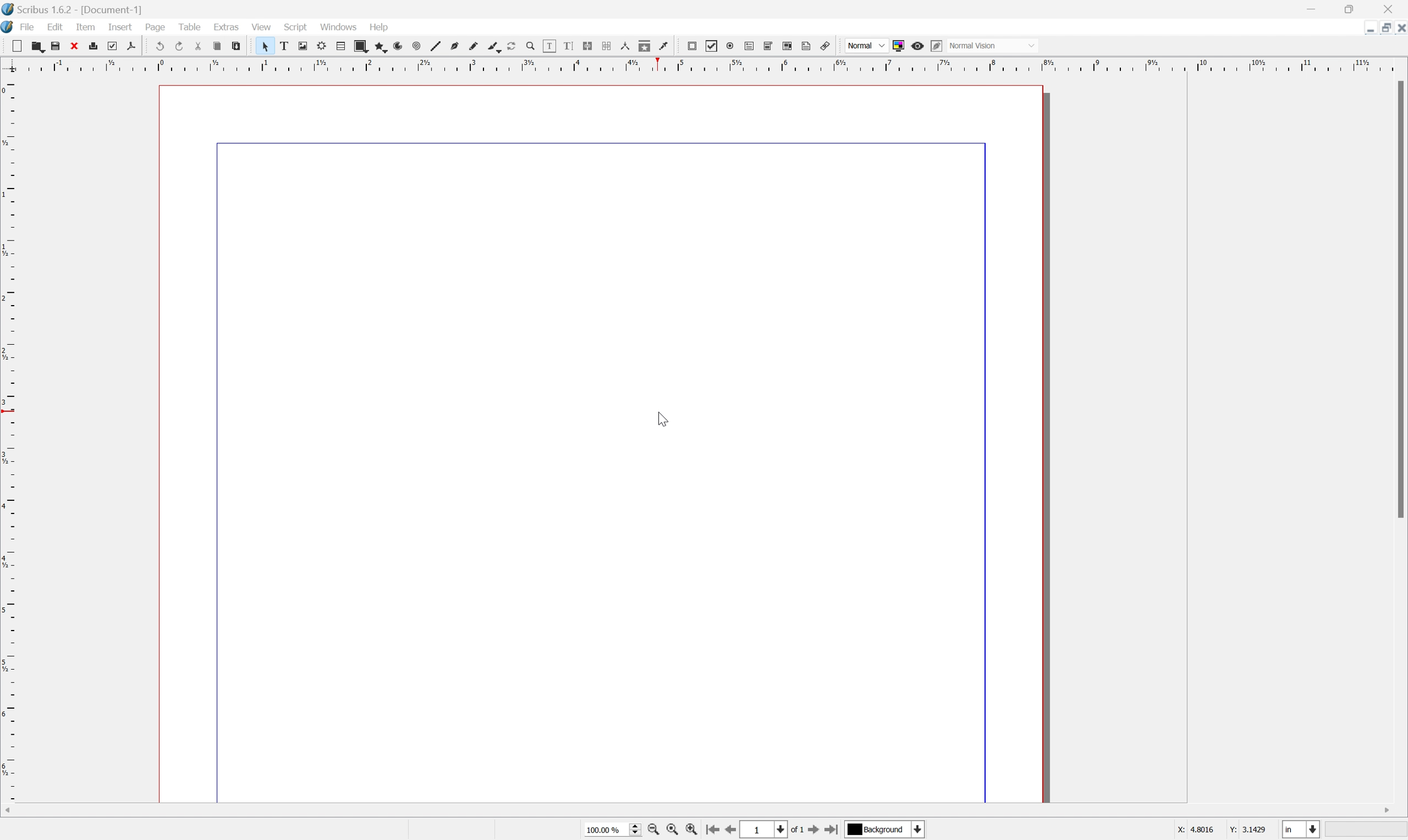  I want to click on toggle color management system, so click(898, 46).